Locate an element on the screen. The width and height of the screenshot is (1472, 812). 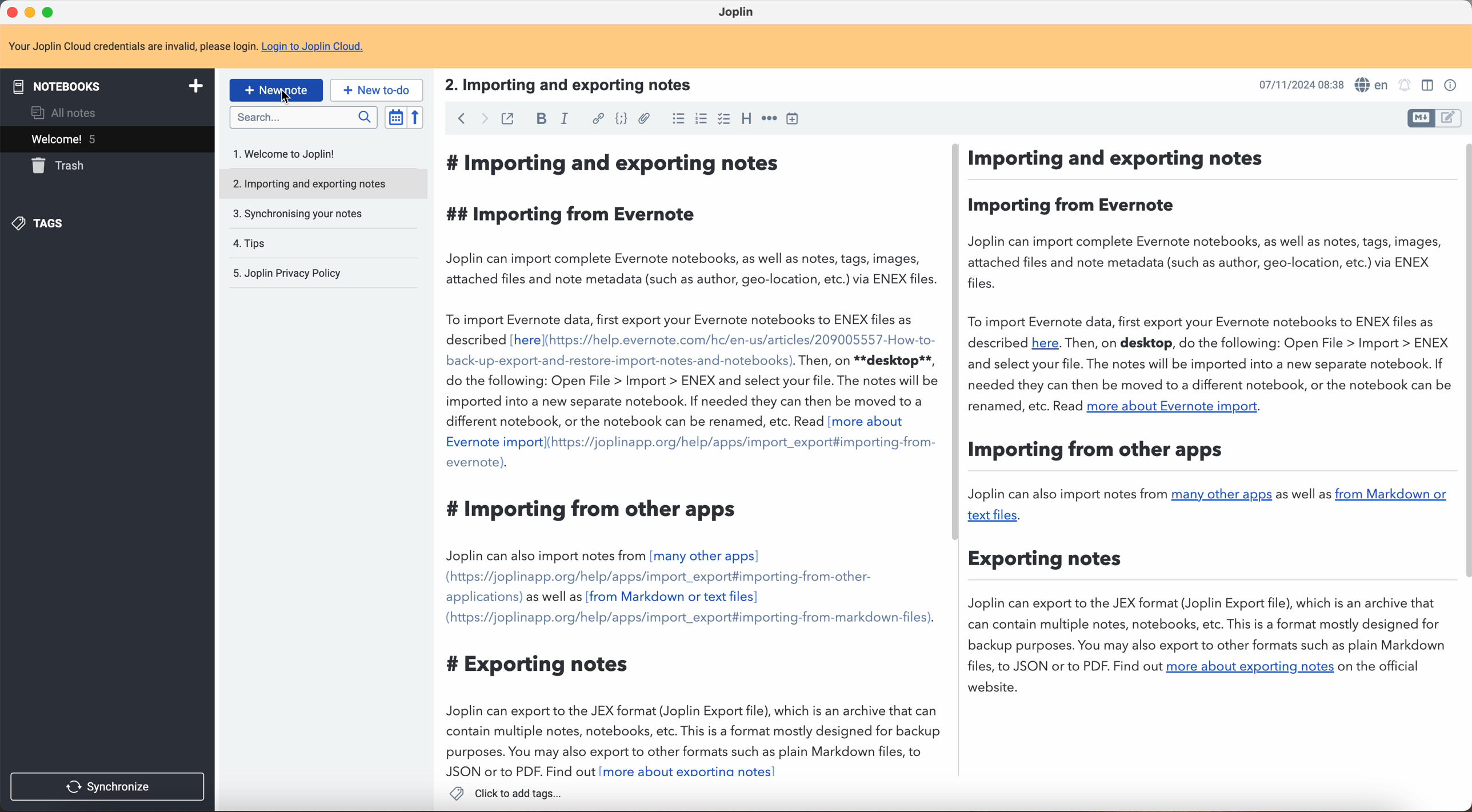
toggle edit layout is located at coordinates (1422, 119).